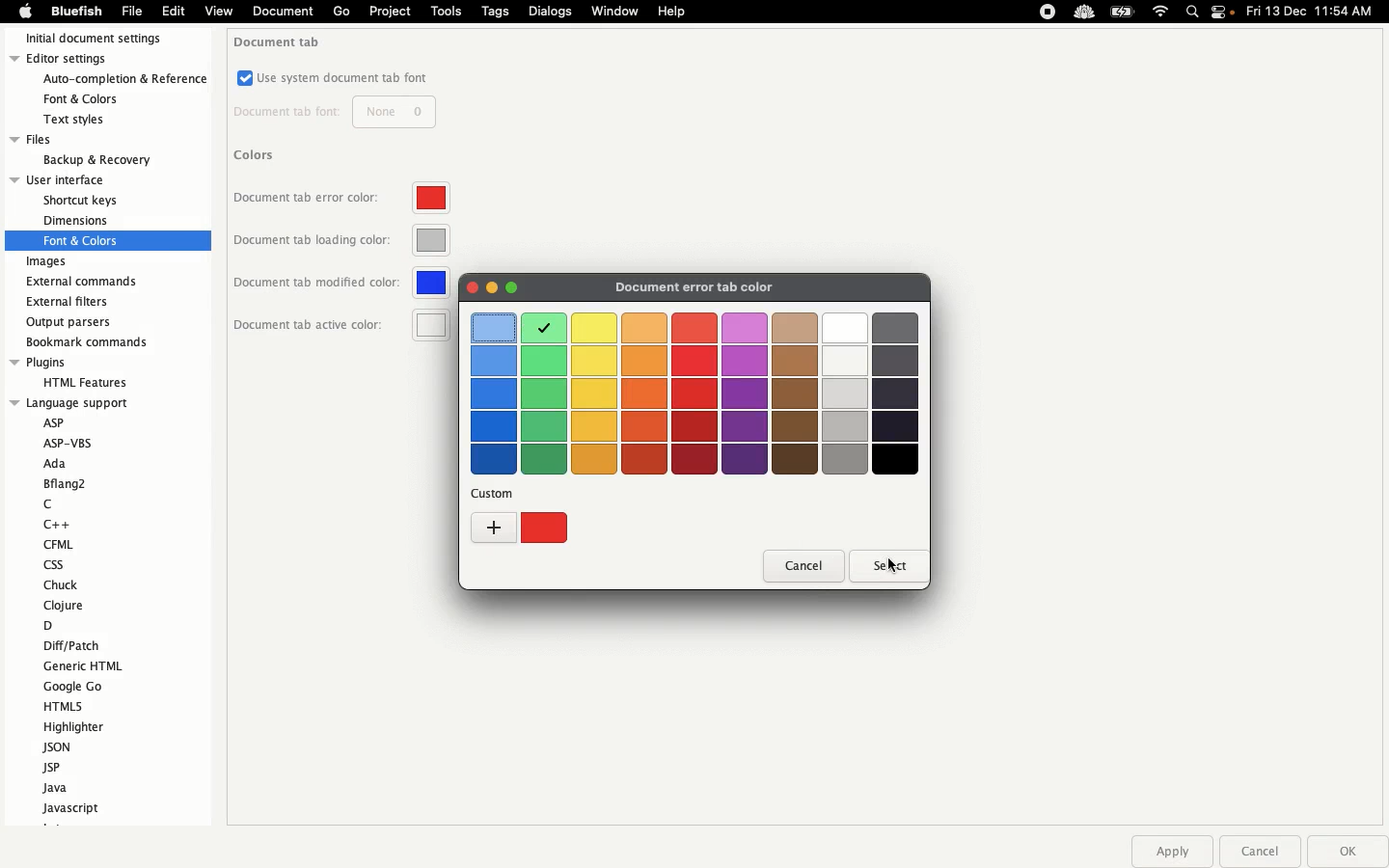  What do you see at coordinates (511, 286) in the screenshot?
I see `Maximize` at bounding box center [511, 286].